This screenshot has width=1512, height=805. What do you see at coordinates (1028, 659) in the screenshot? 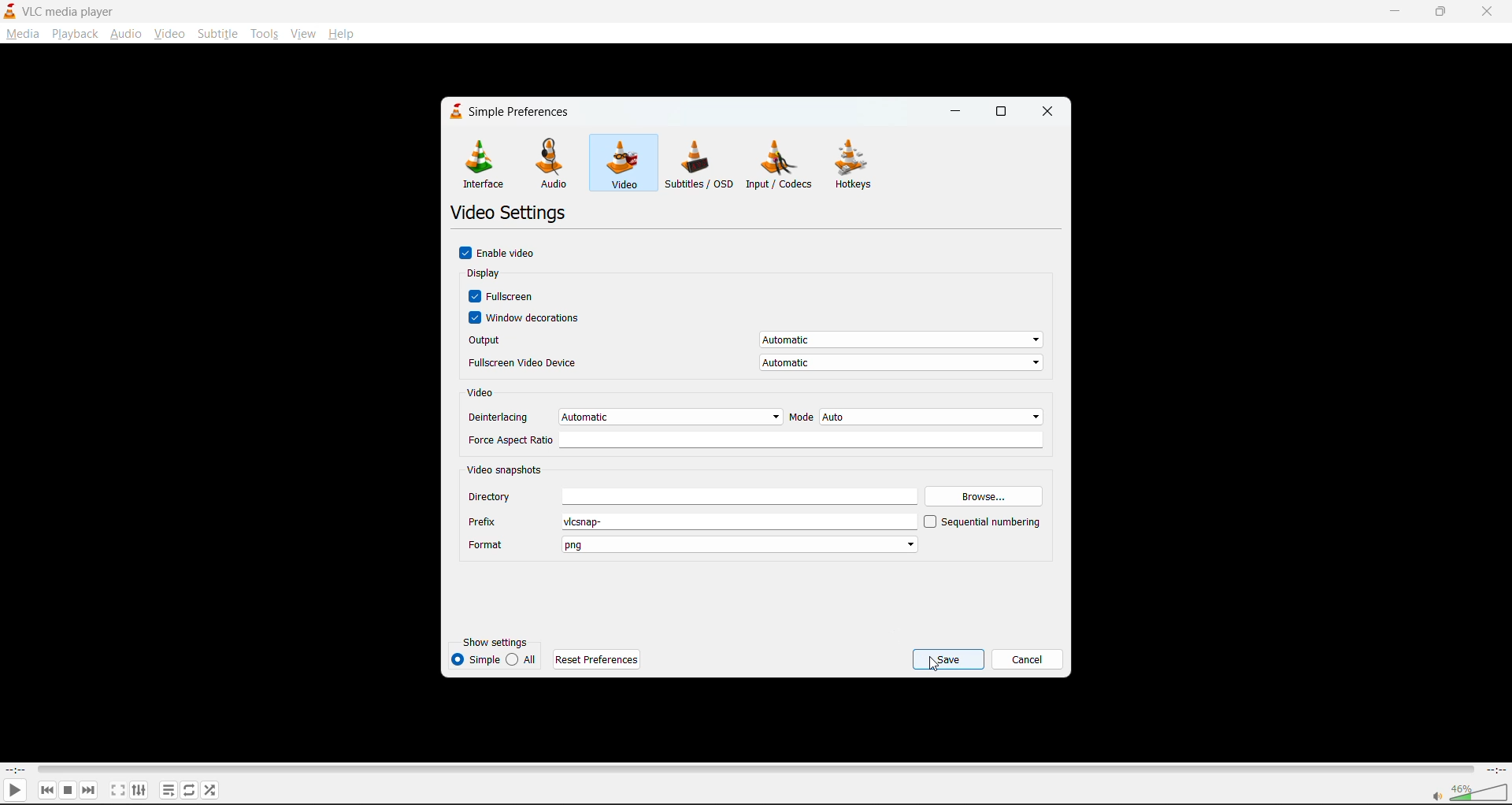
I see `cancel` at bounding box center [1028, 659].